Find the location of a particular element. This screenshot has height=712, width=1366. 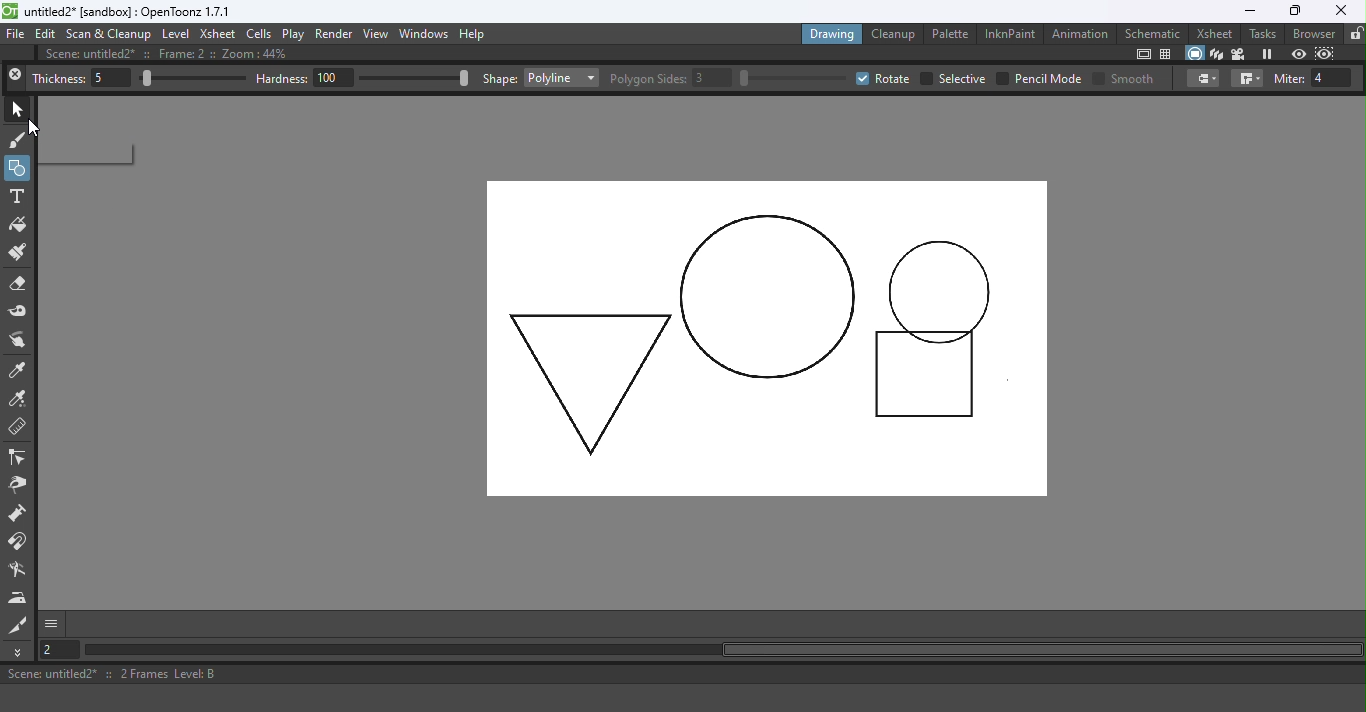

Camera stand view is located at coordinates (1193, 53).